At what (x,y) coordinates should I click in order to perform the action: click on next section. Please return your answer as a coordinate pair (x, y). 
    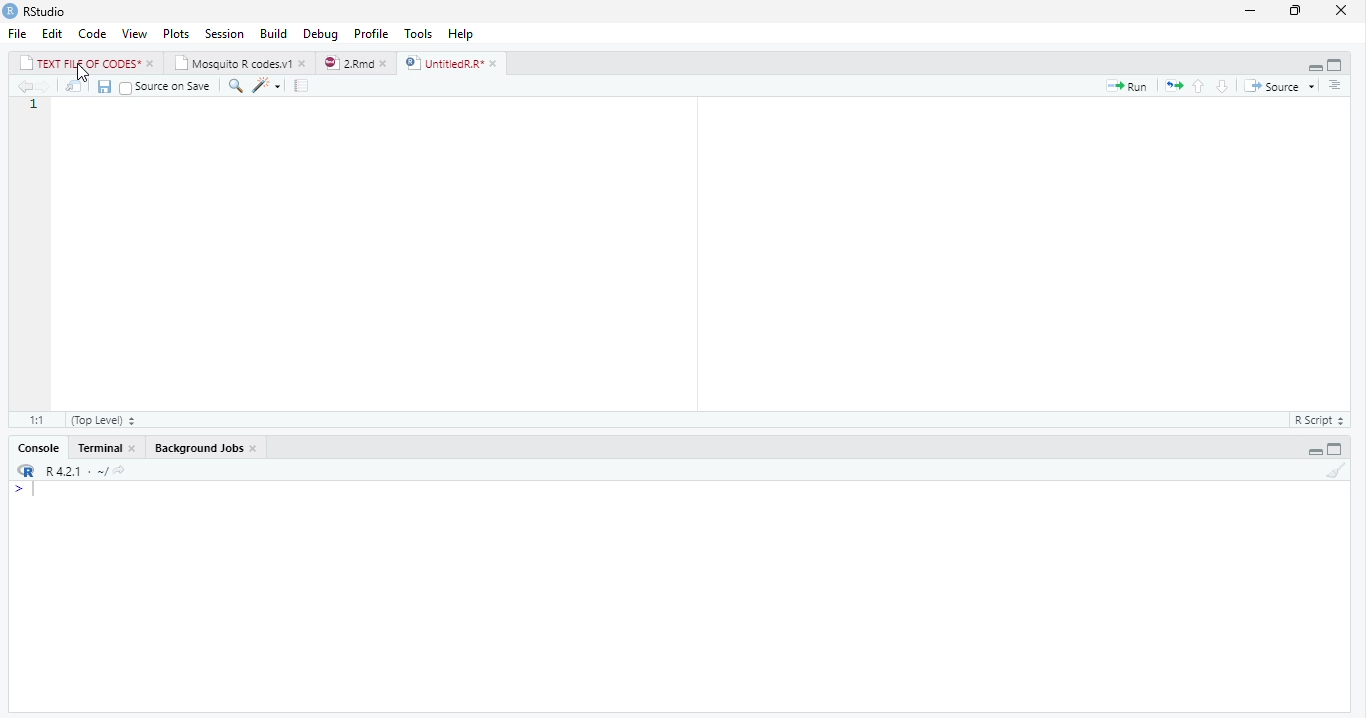
    Looking at the image, I should click on (1222, 87).